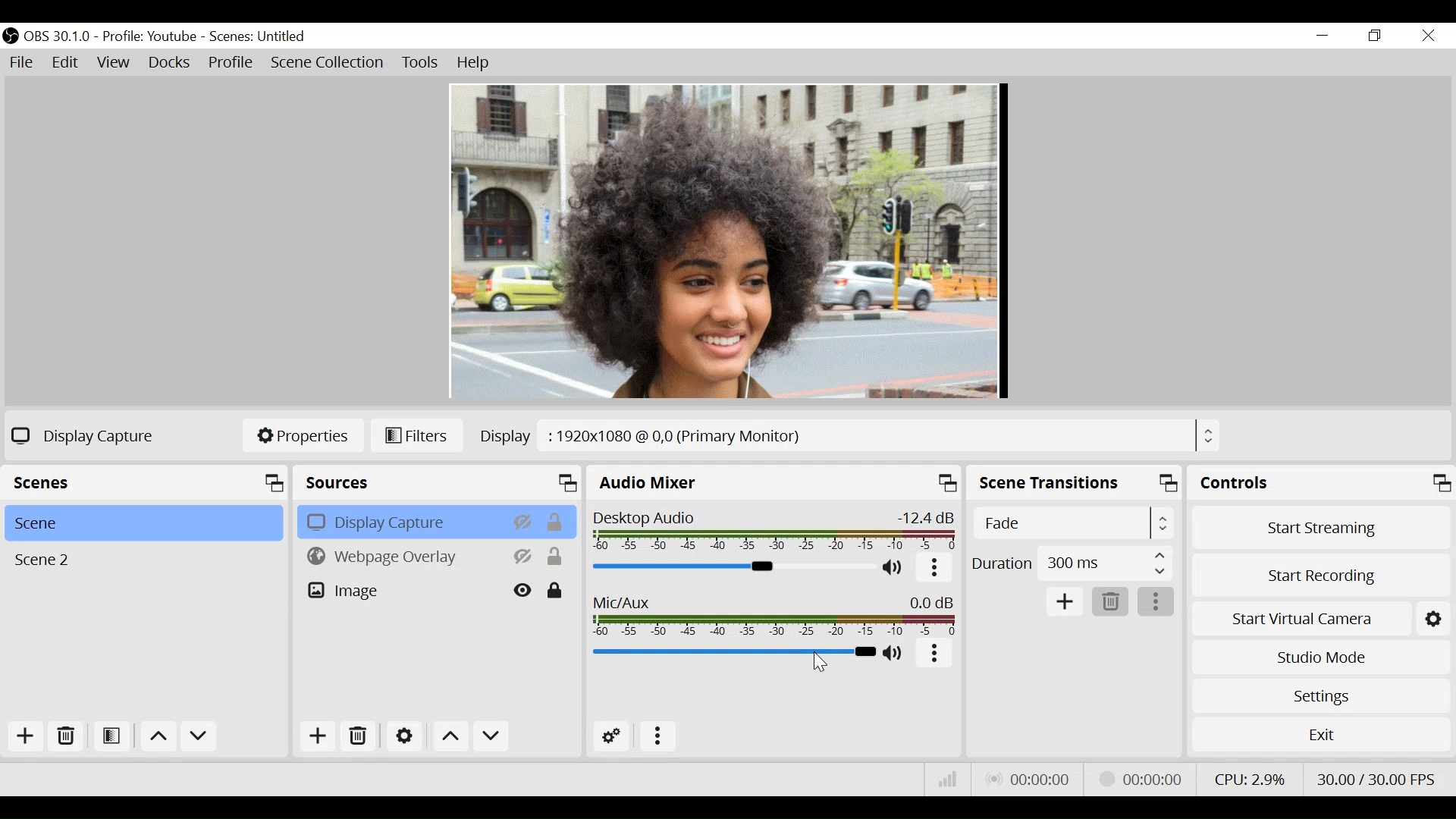 This screenshot has width=1456, height=819. Describe the element at coordinates (1321, 734) in the screenshot. I see `Exit` at that location.